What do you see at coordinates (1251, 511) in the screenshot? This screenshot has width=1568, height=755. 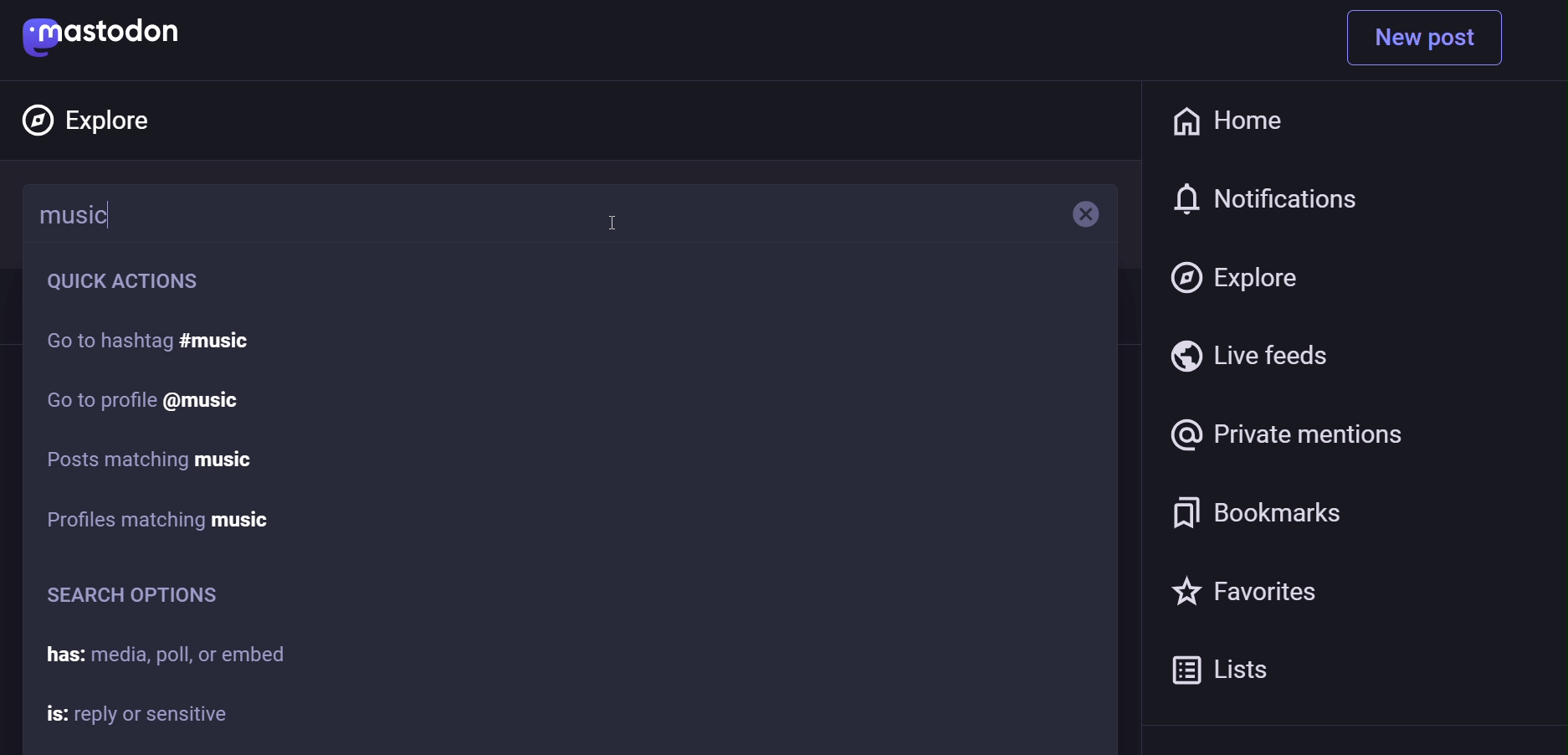 I see `bookmark` at bounding box center [1251, 511].